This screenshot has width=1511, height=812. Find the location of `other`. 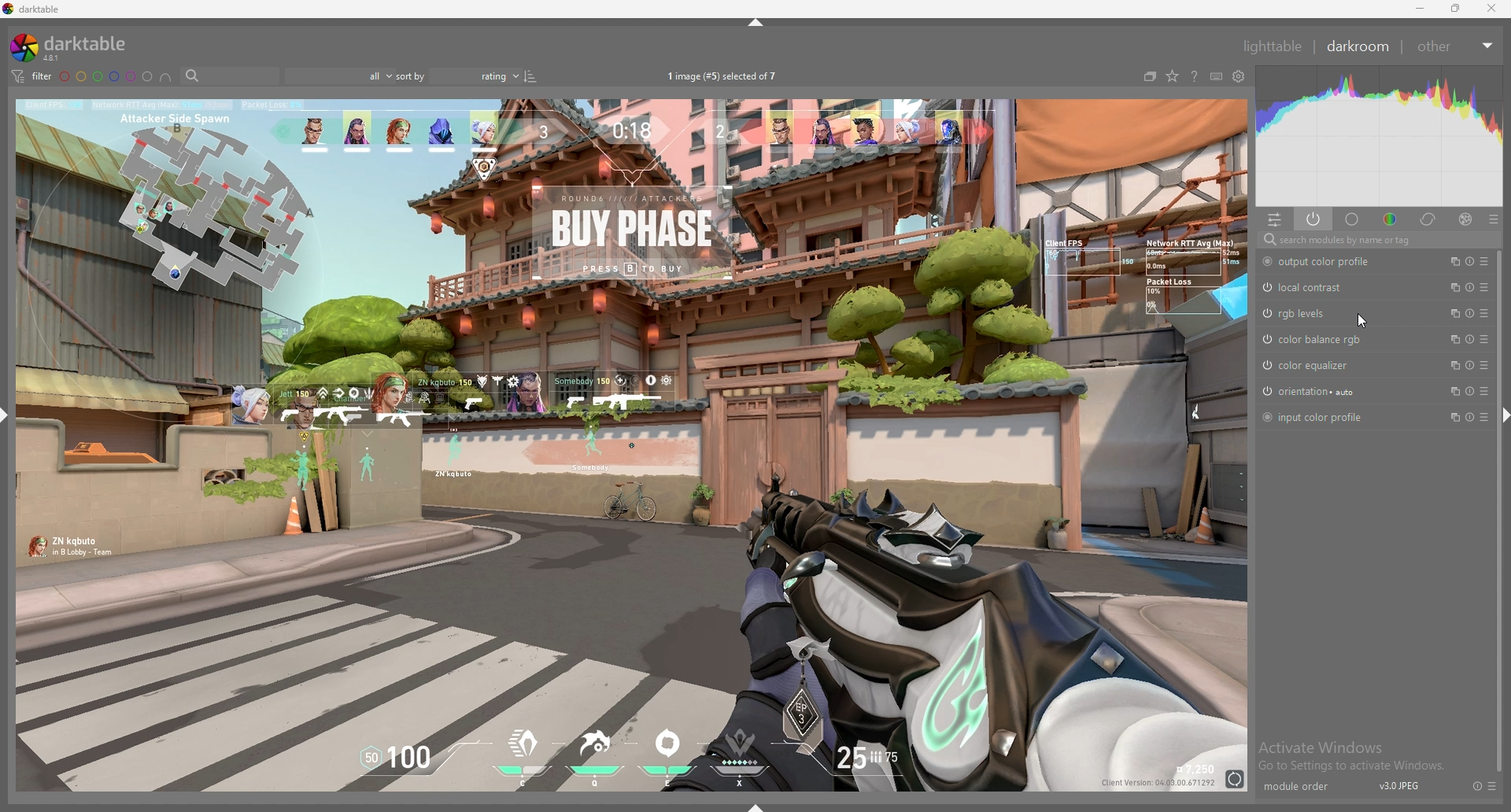

other is located at coordinates (1453, 46).